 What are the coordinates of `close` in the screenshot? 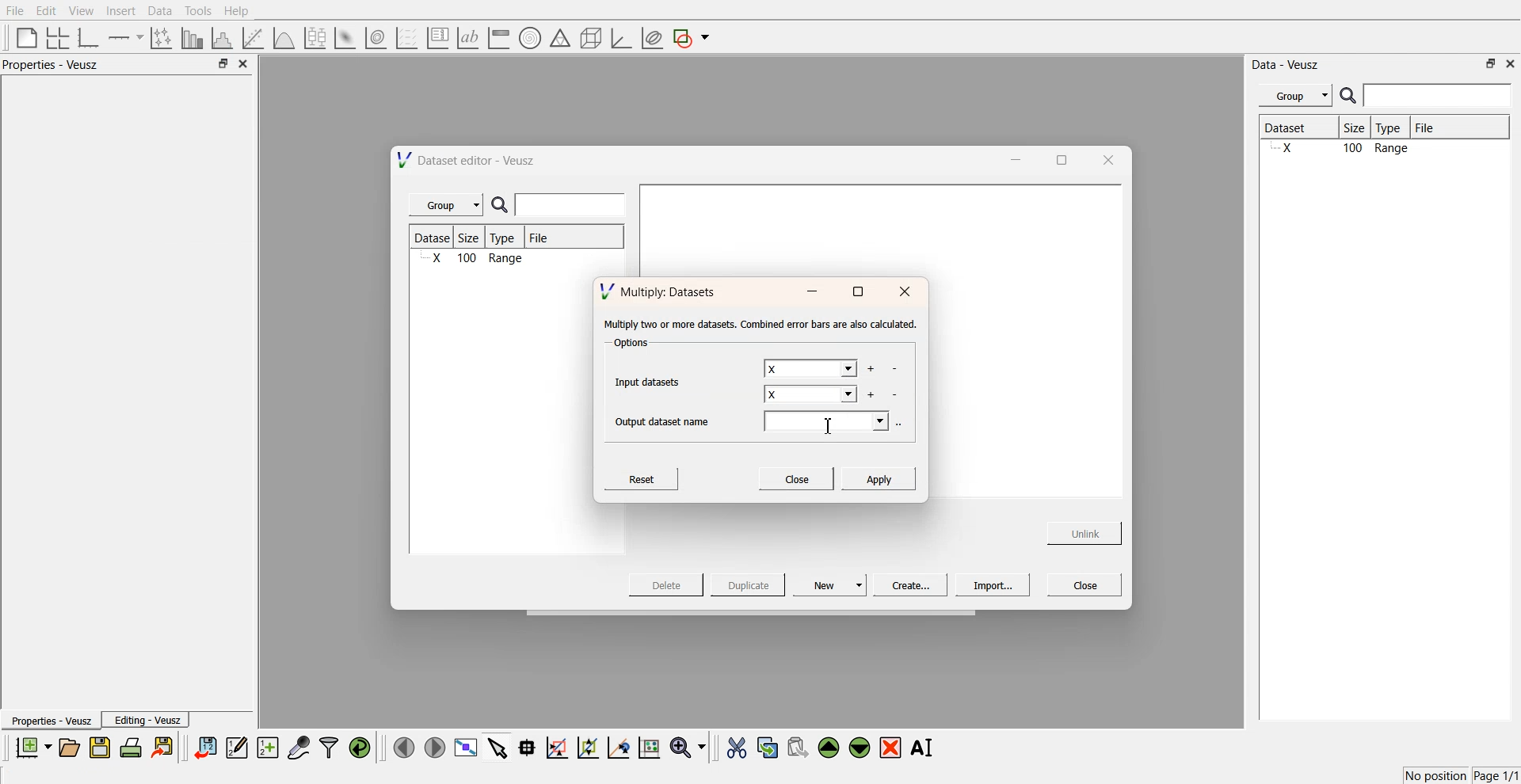 It's located at (905, 292).